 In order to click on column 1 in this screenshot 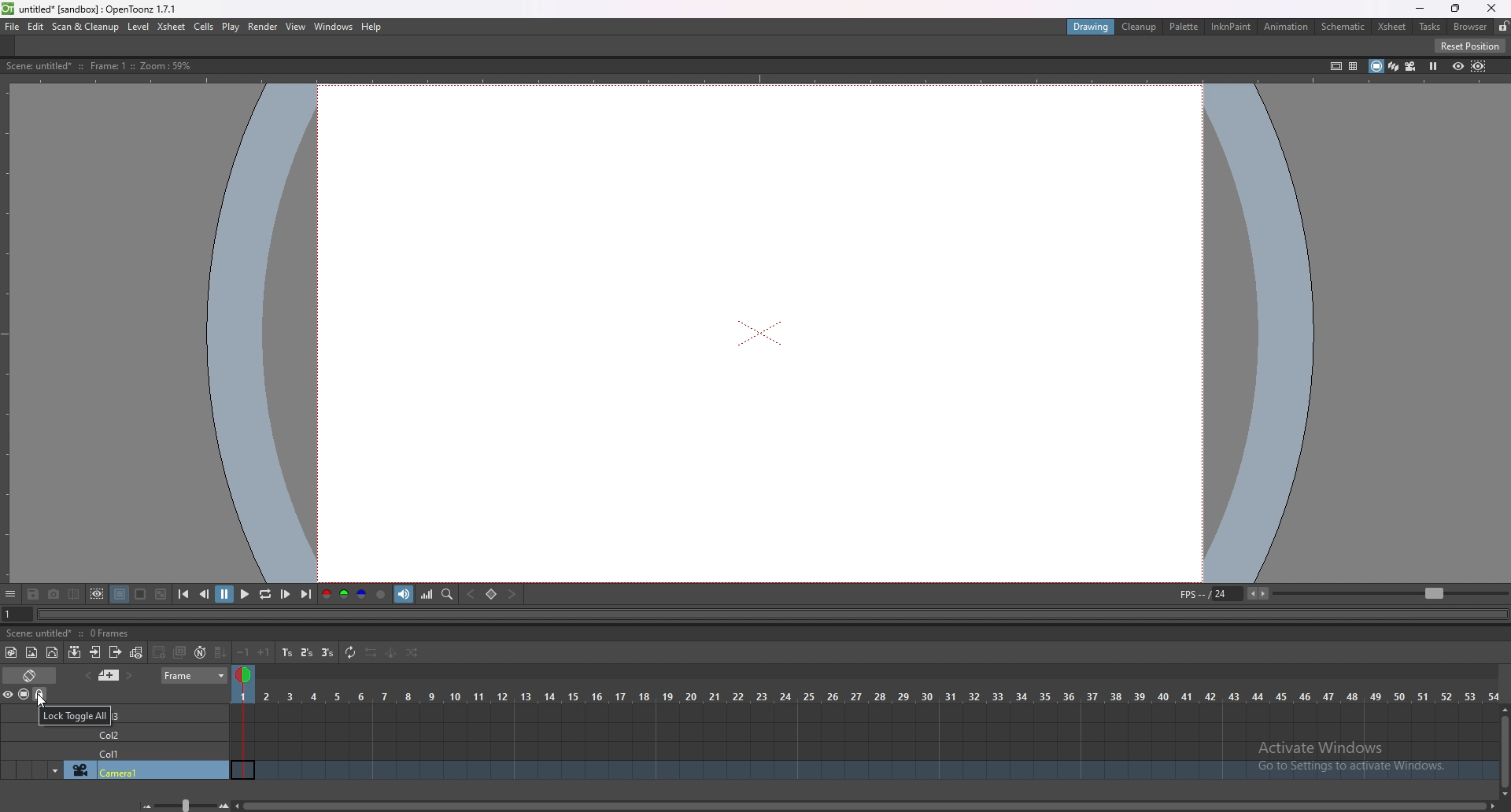, I will do `click(144, 752)`.